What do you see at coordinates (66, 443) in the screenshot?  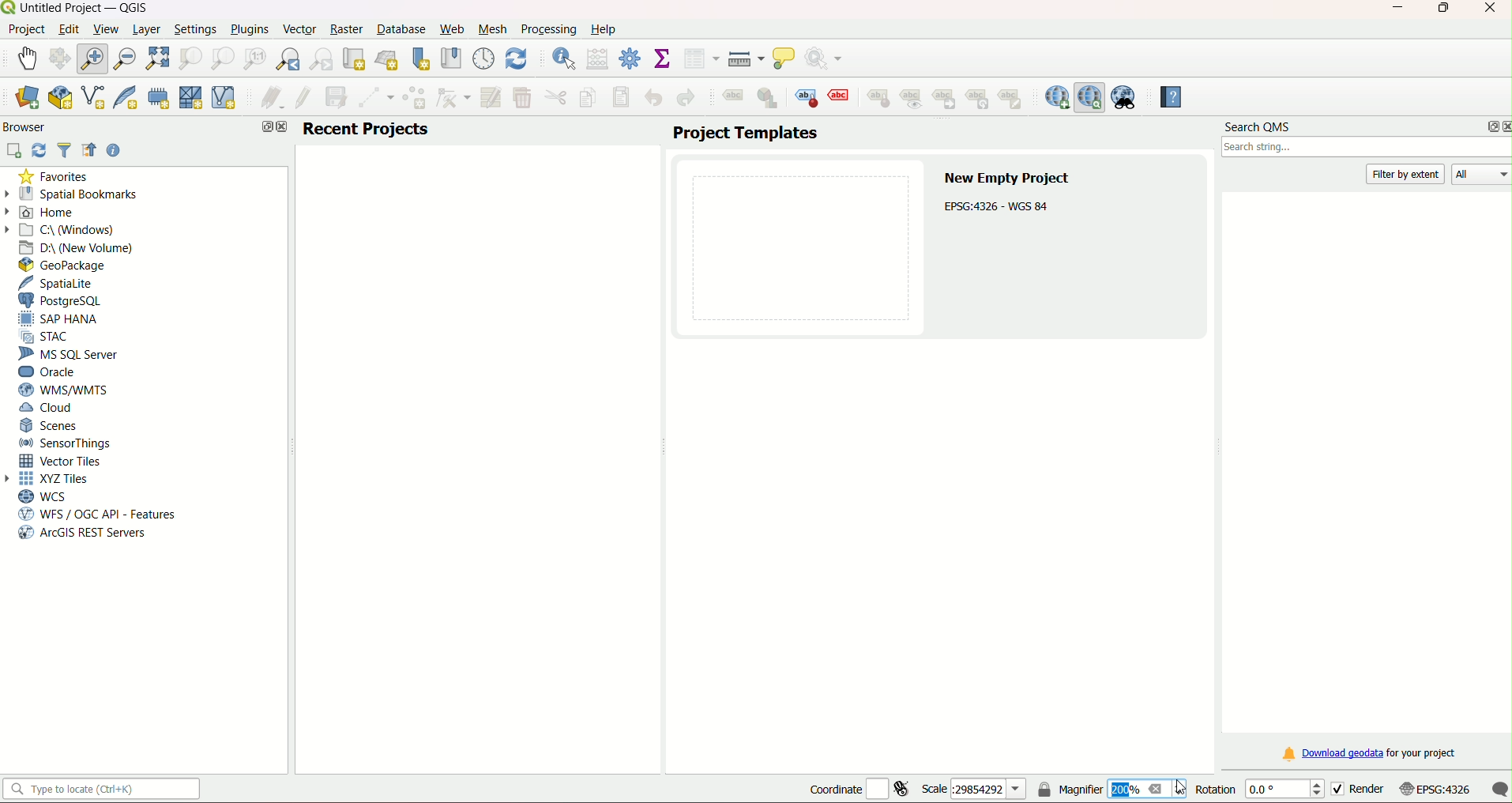 I see `Sensor Things` at bounding box center [66, 443].